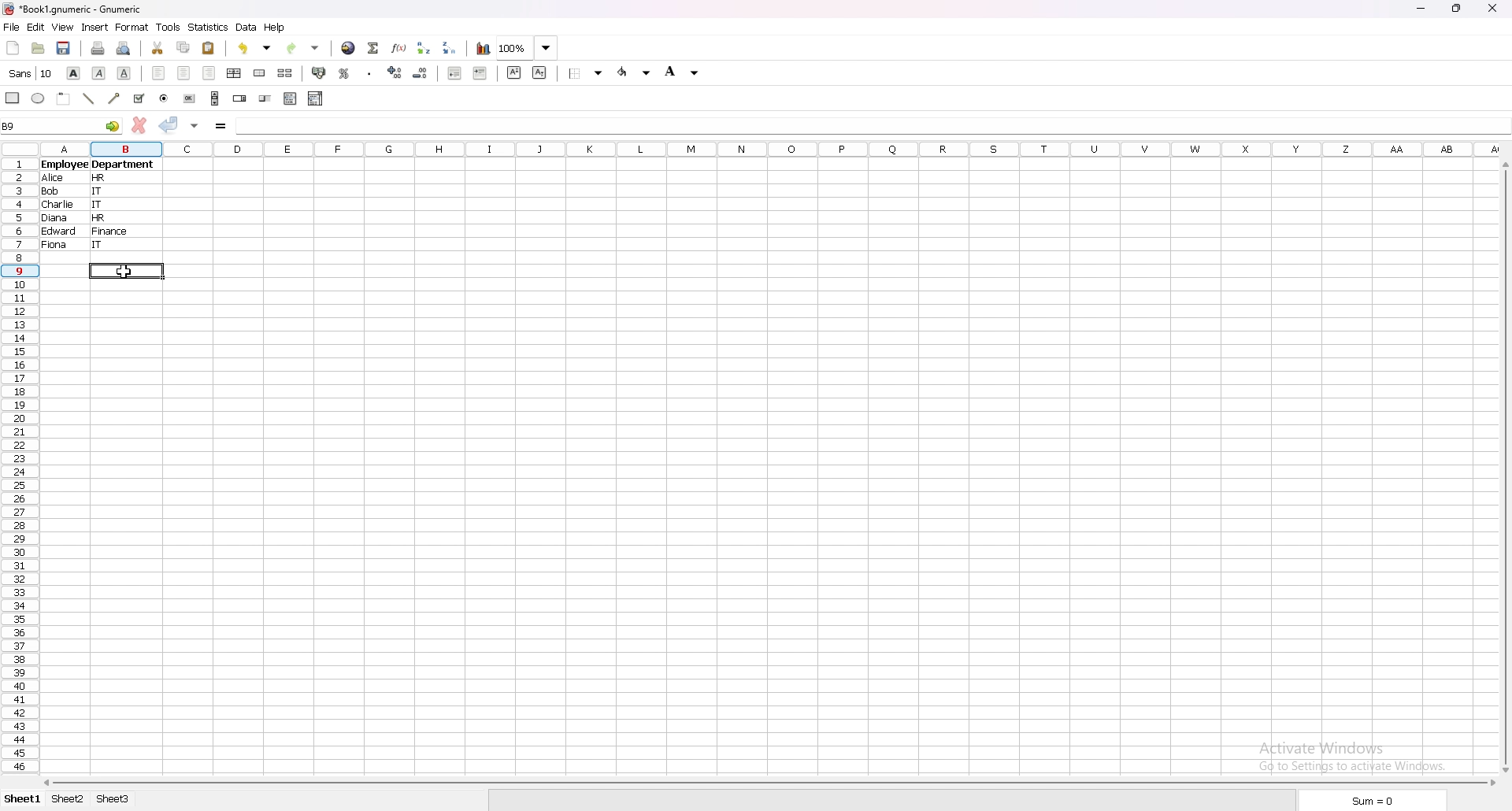  I want to click on diana, so click(56, 220).